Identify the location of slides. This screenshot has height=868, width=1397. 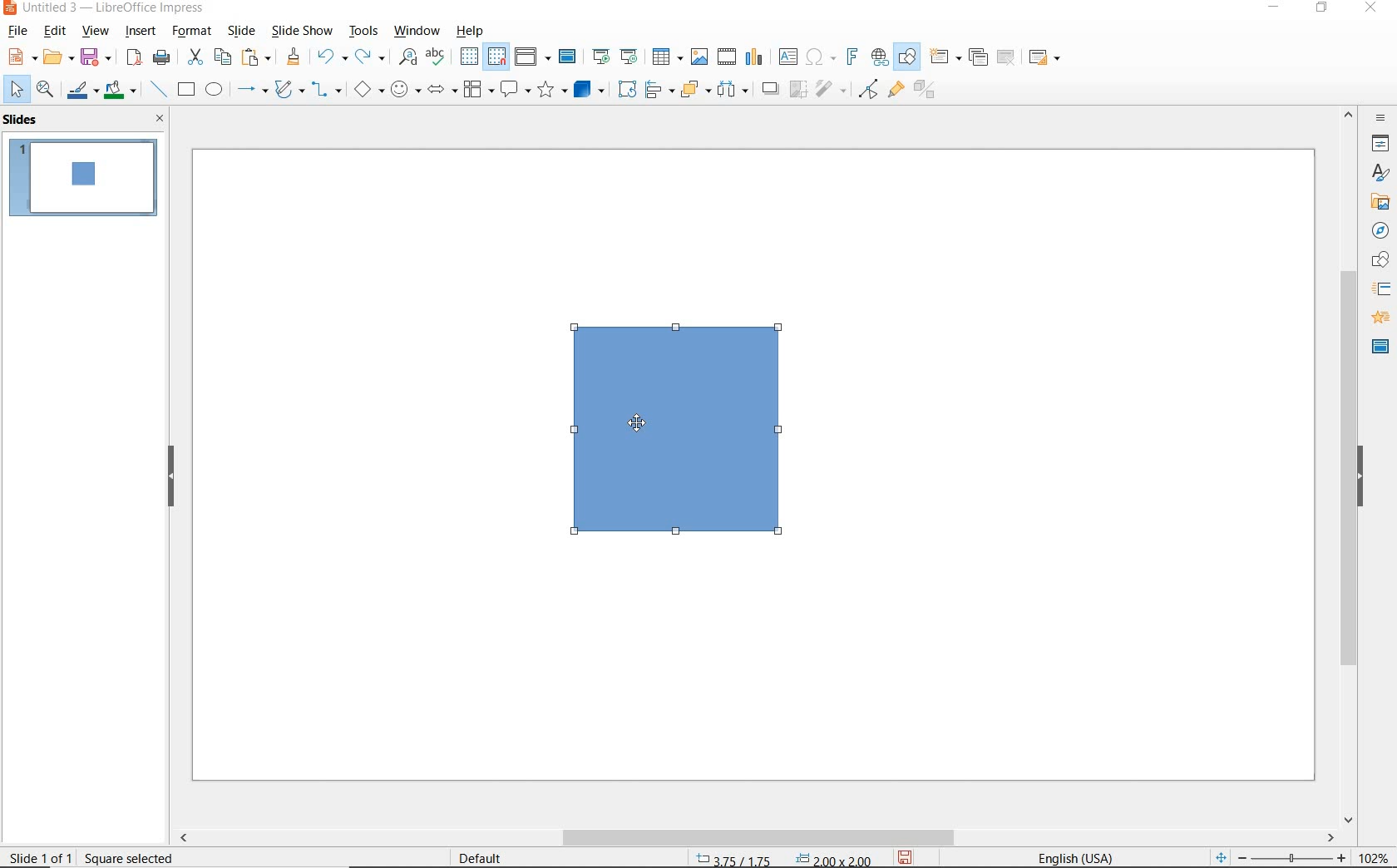
(23, 121).